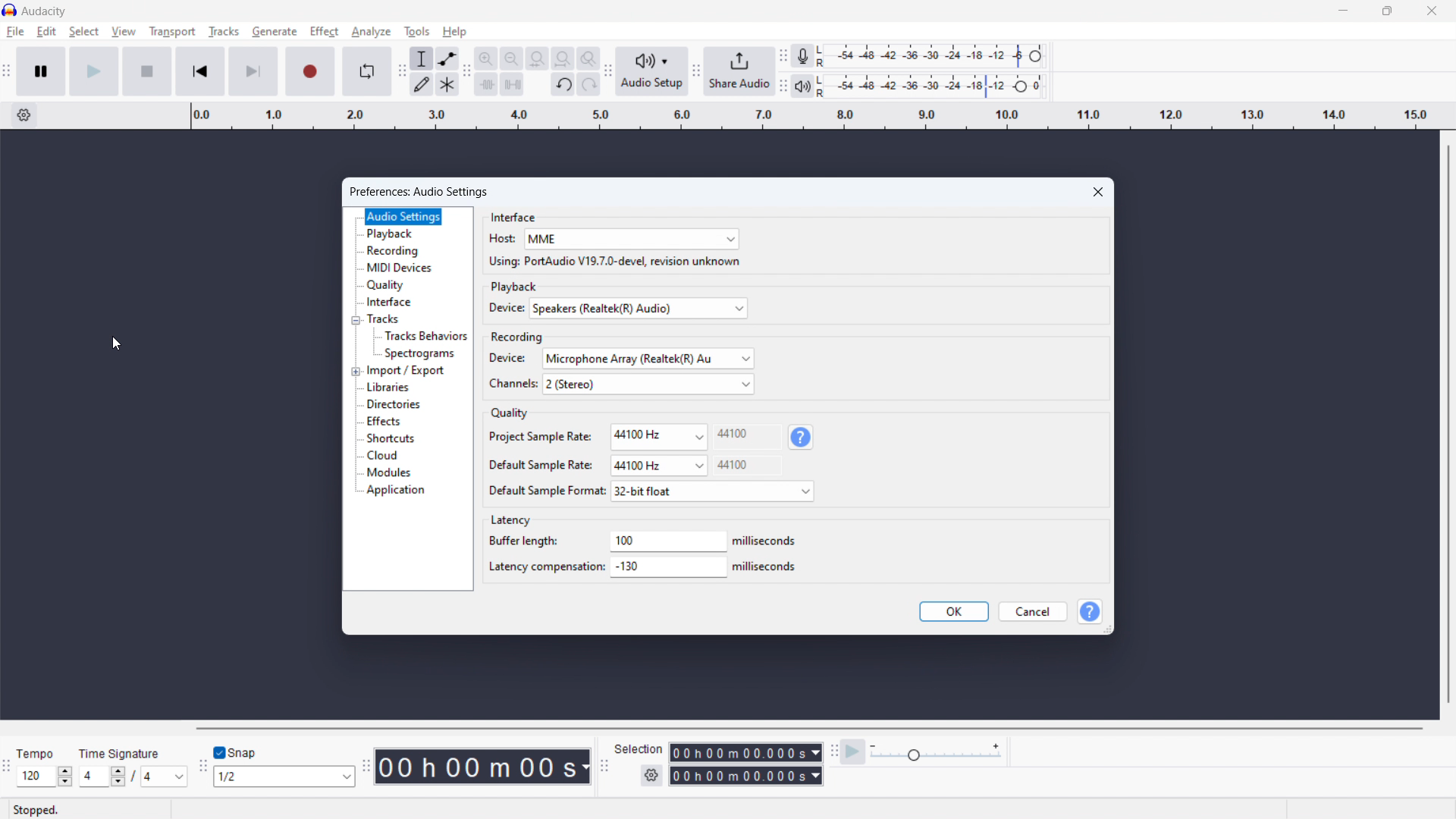 Image resolution: width=1456 pixels, height=819 pixels. I want to click on directories, so click(394, 405).